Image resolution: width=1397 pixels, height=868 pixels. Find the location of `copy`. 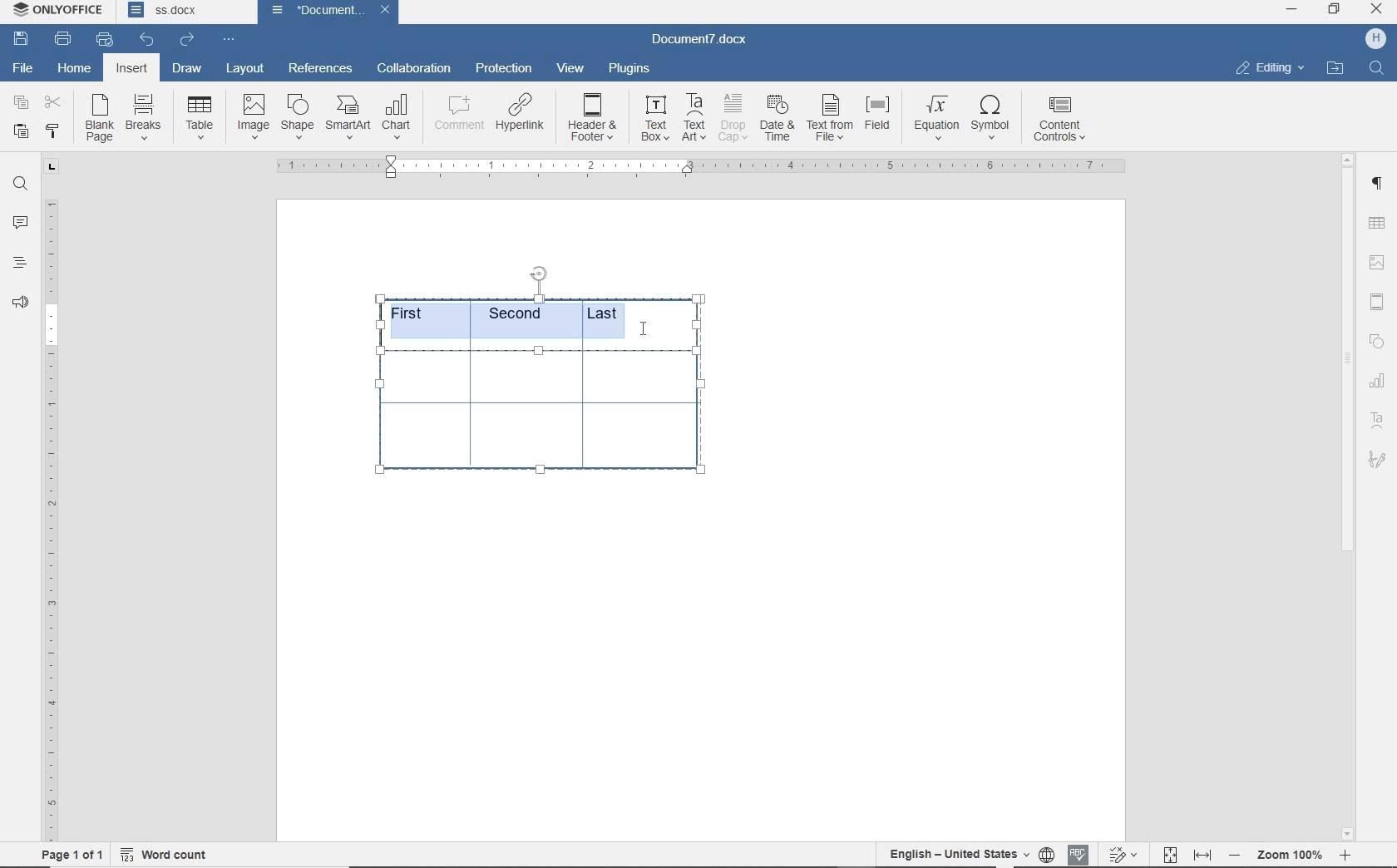

copy is located at coordinates (20, 104).